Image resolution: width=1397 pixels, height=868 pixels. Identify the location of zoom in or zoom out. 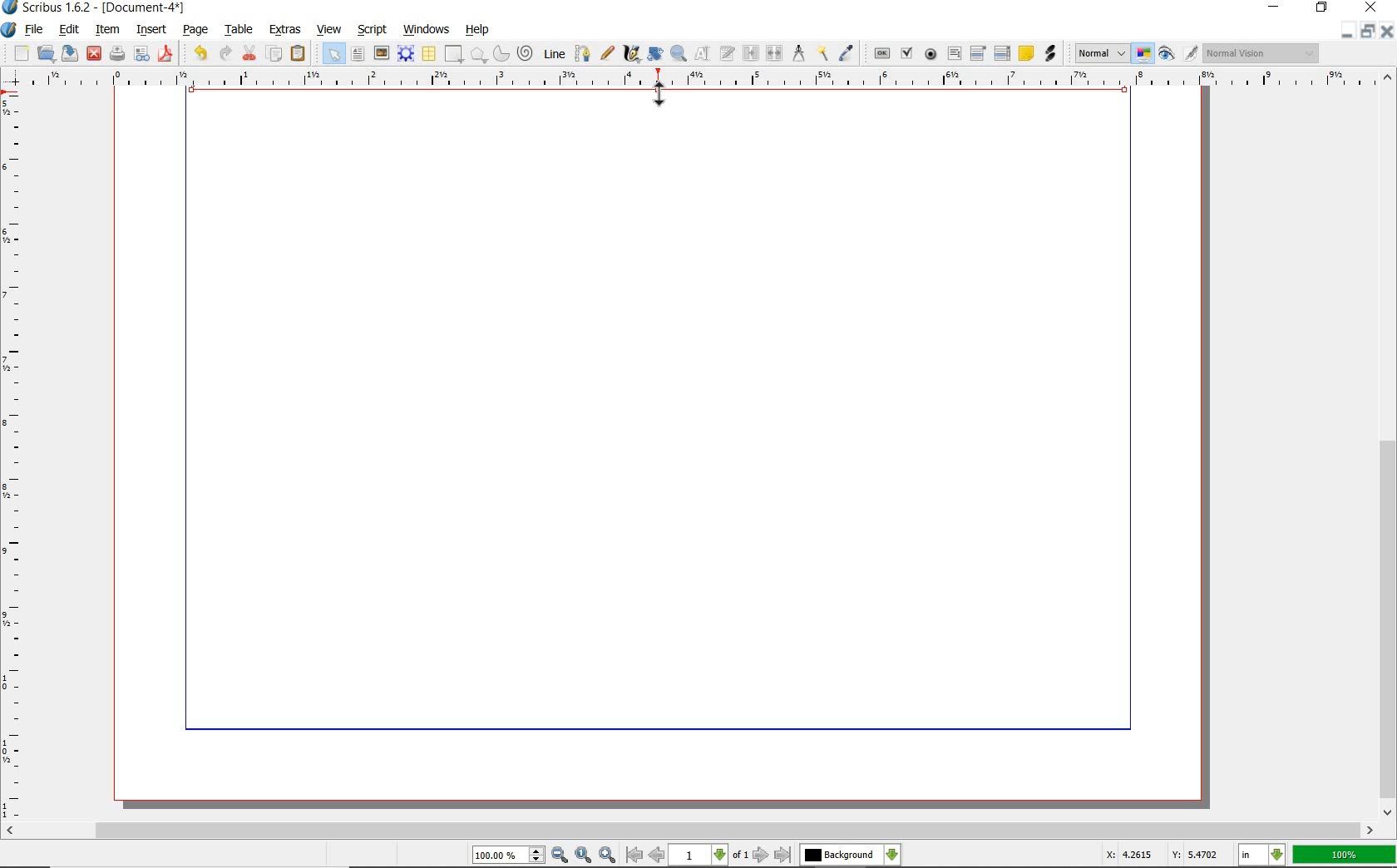
(678, 55).